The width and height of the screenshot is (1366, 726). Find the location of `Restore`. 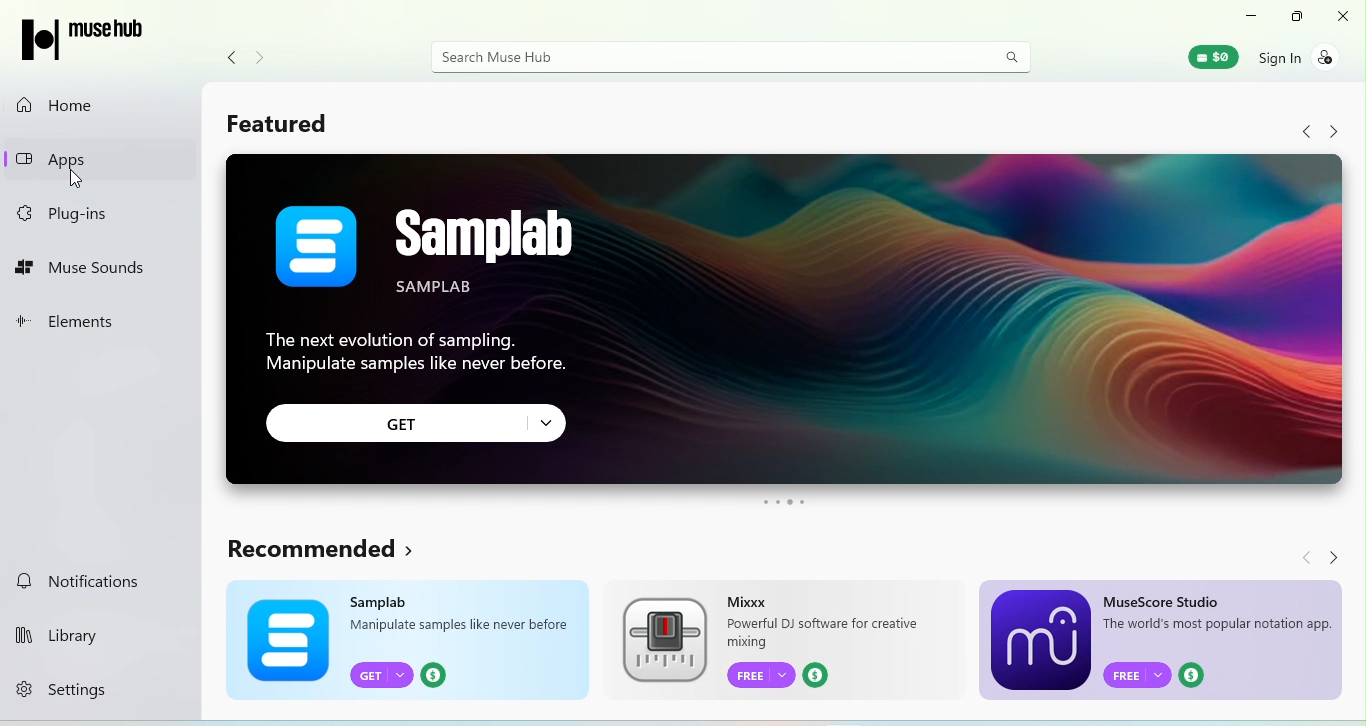

Restore is located at coordinates (1293, 17).